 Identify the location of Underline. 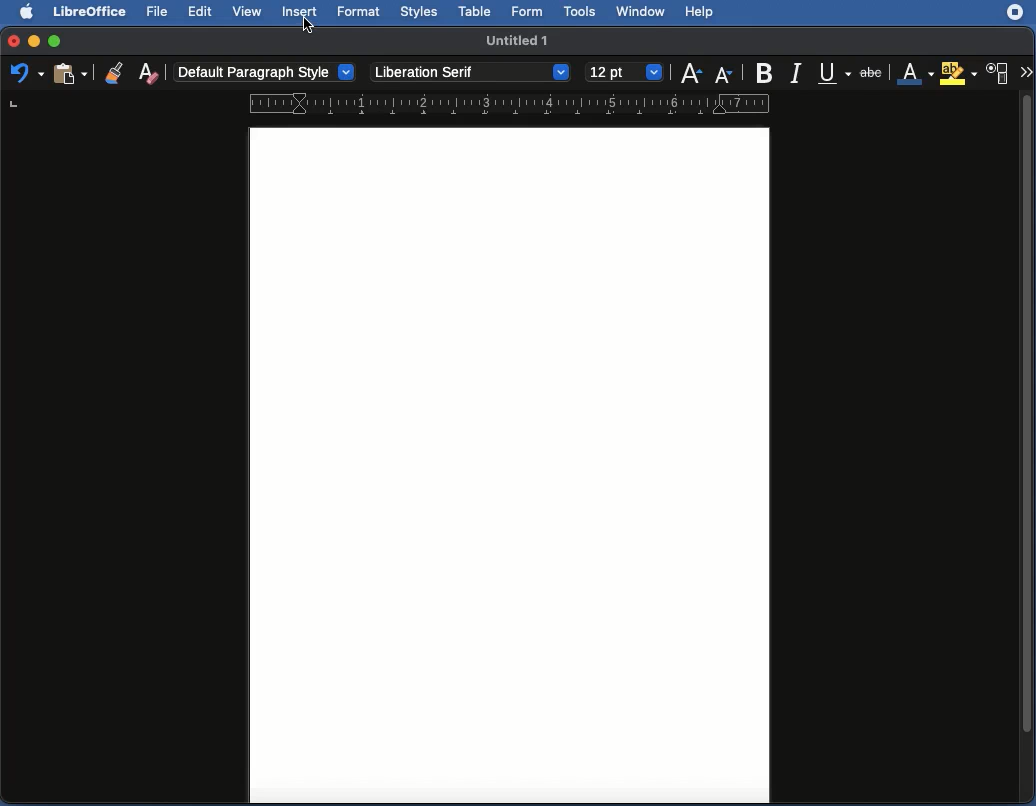
(836, 73).